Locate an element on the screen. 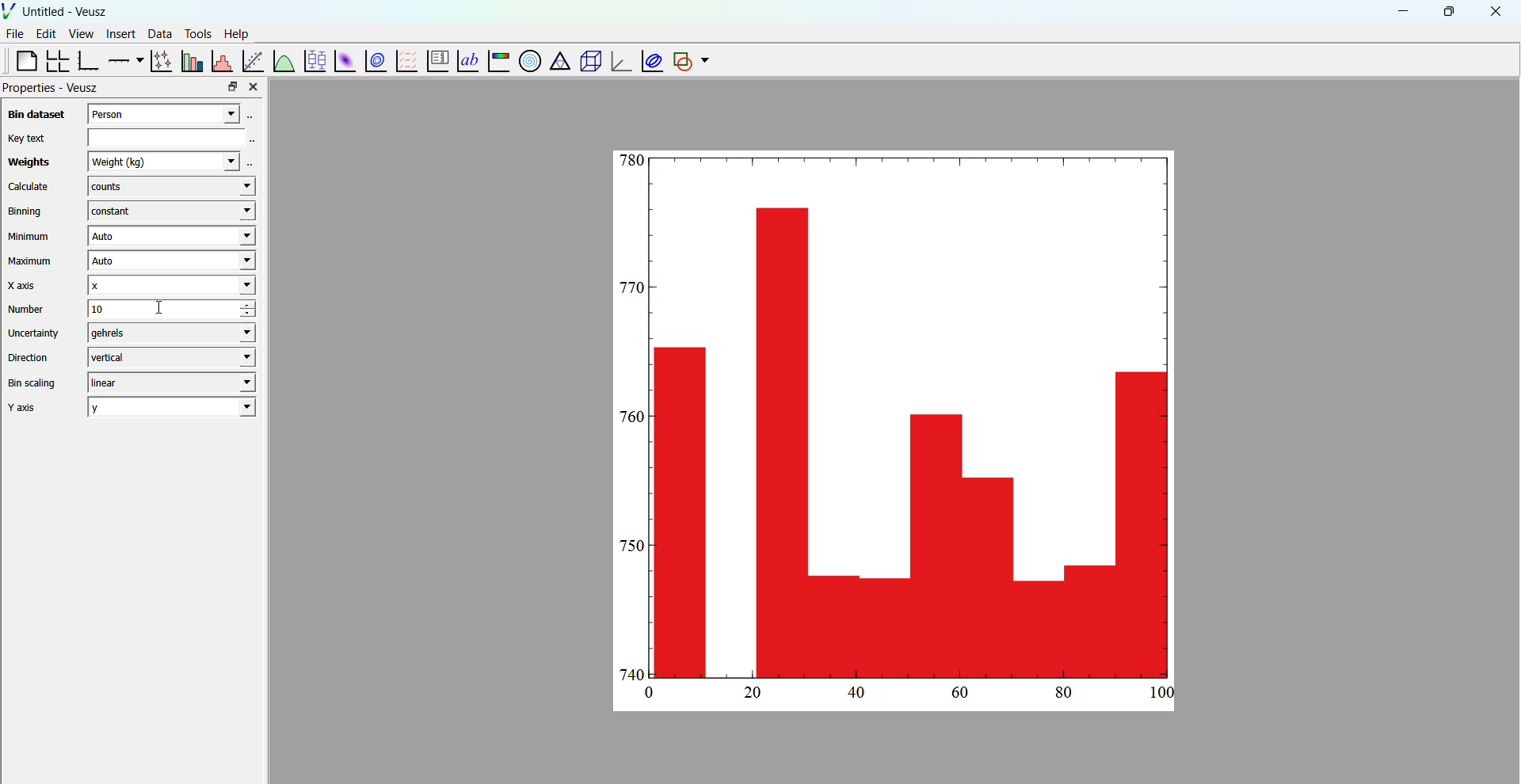 The image size is (1521, 784). y - y axis drop down is located at coordinates (172, 407).